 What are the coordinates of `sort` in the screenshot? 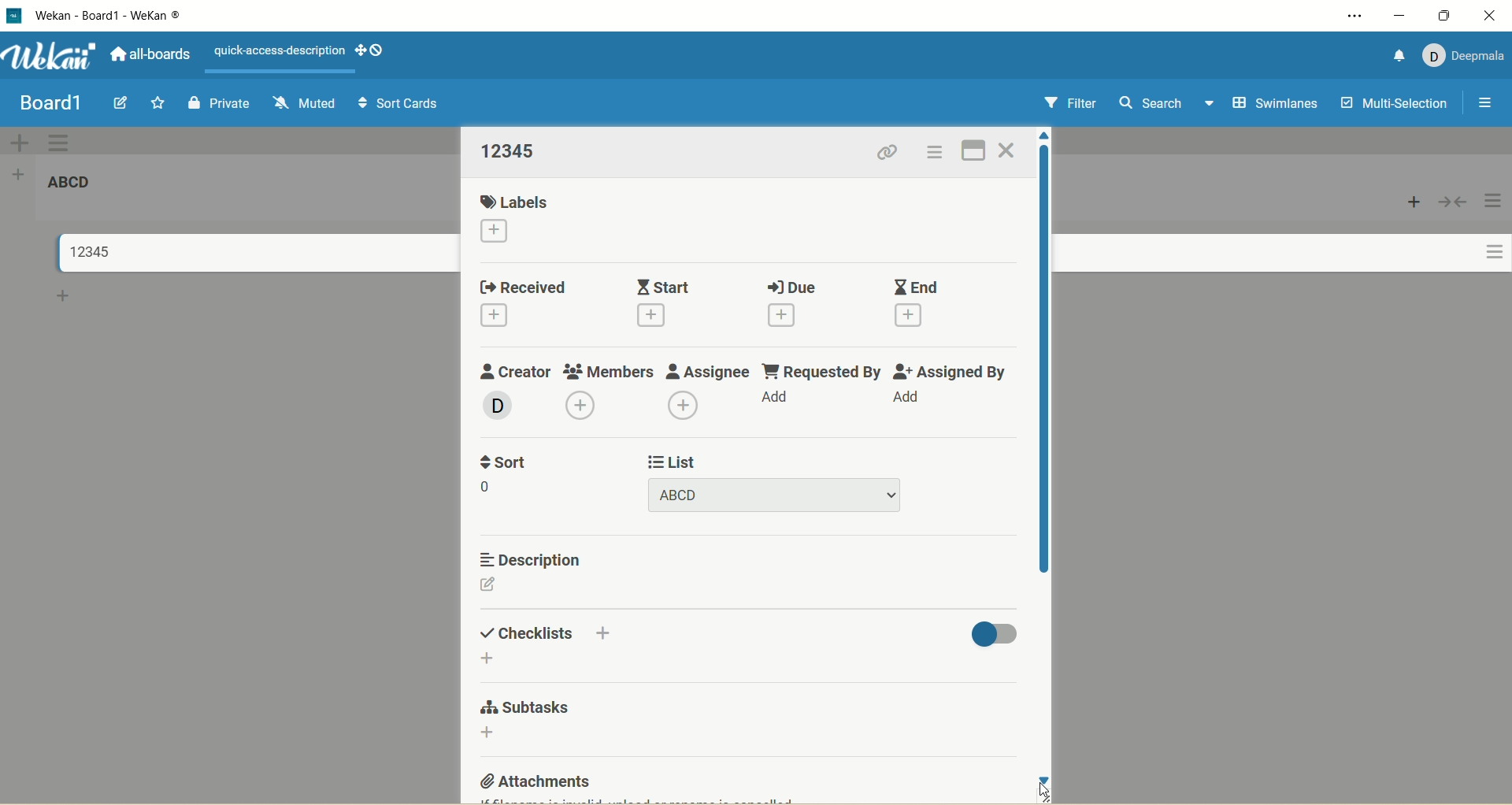 It's located at (506, 463).